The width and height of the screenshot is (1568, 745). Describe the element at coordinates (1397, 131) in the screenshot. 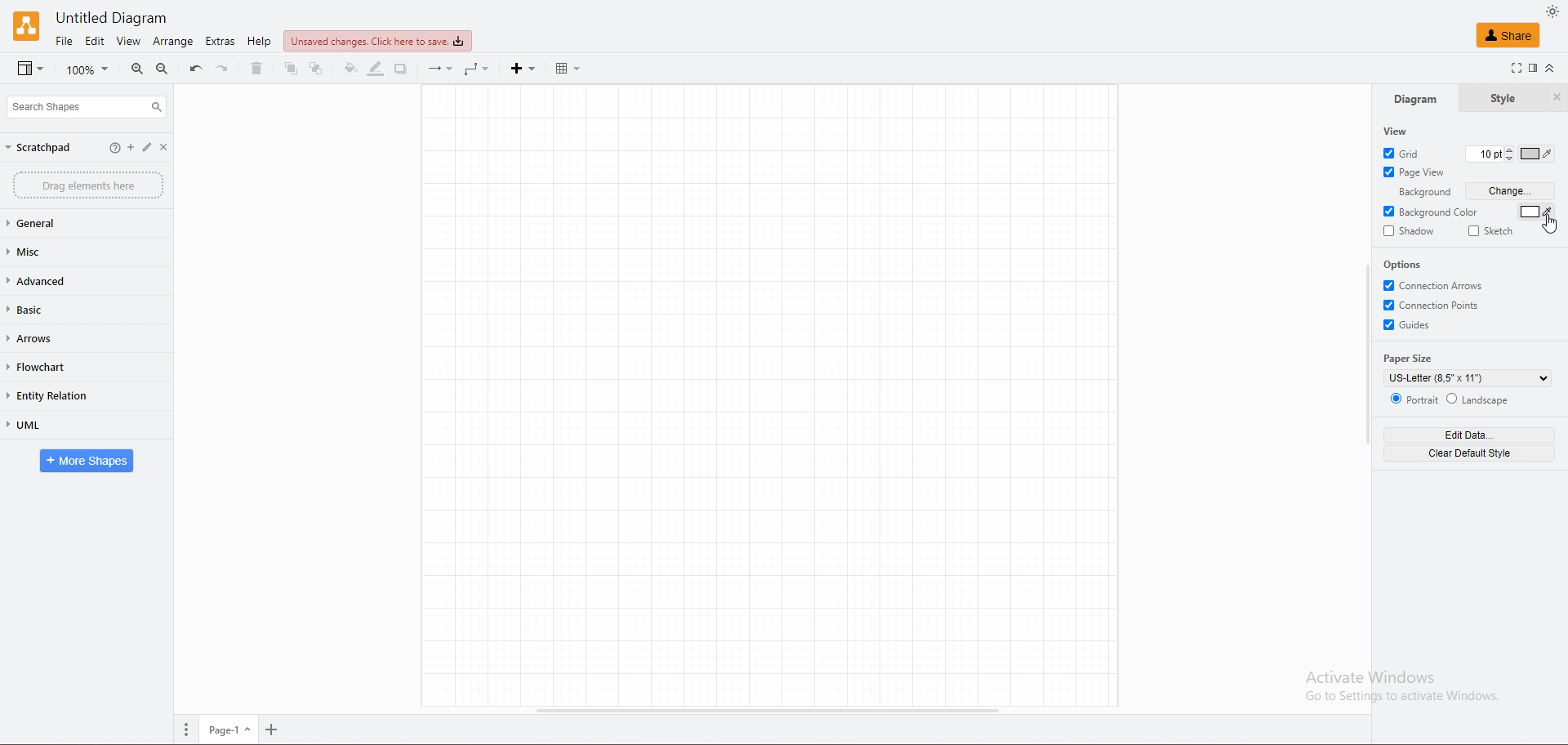

I see `view` at that location.